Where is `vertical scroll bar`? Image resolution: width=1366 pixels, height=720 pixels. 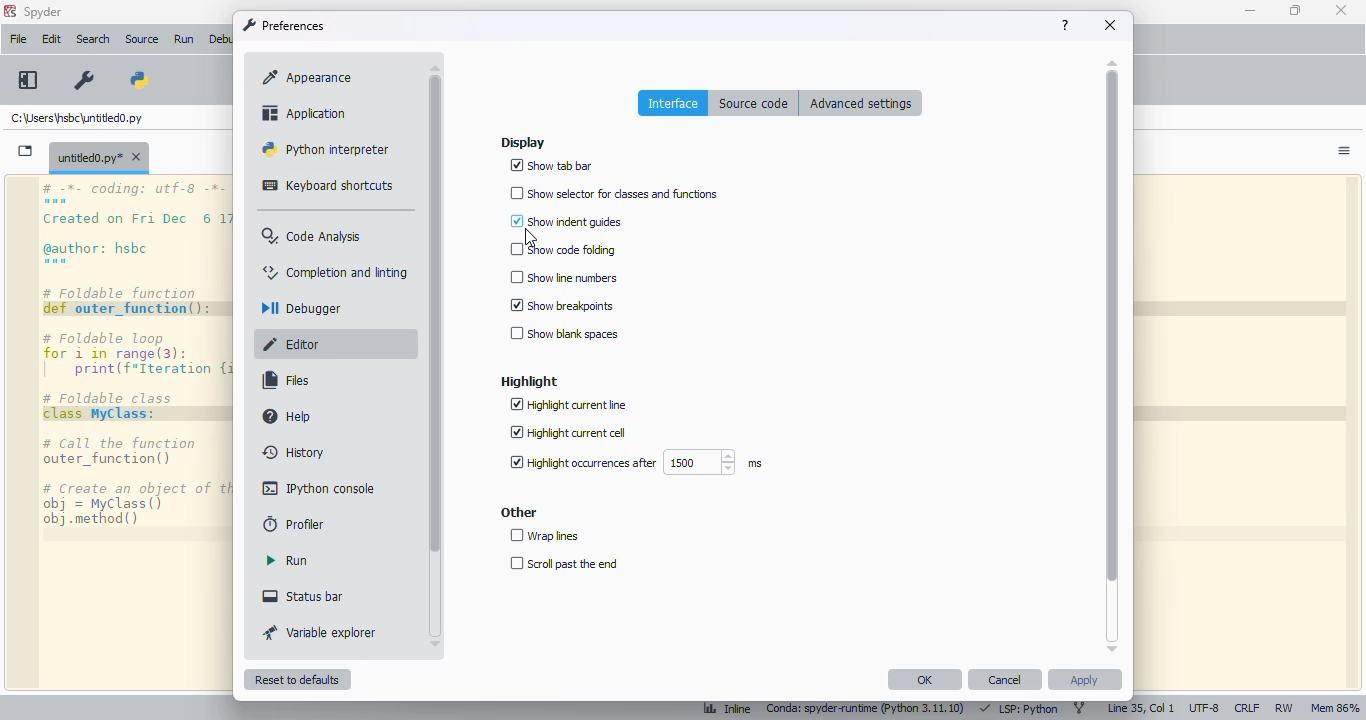
vertical scroll bar is located at coordinates (1112, 326).